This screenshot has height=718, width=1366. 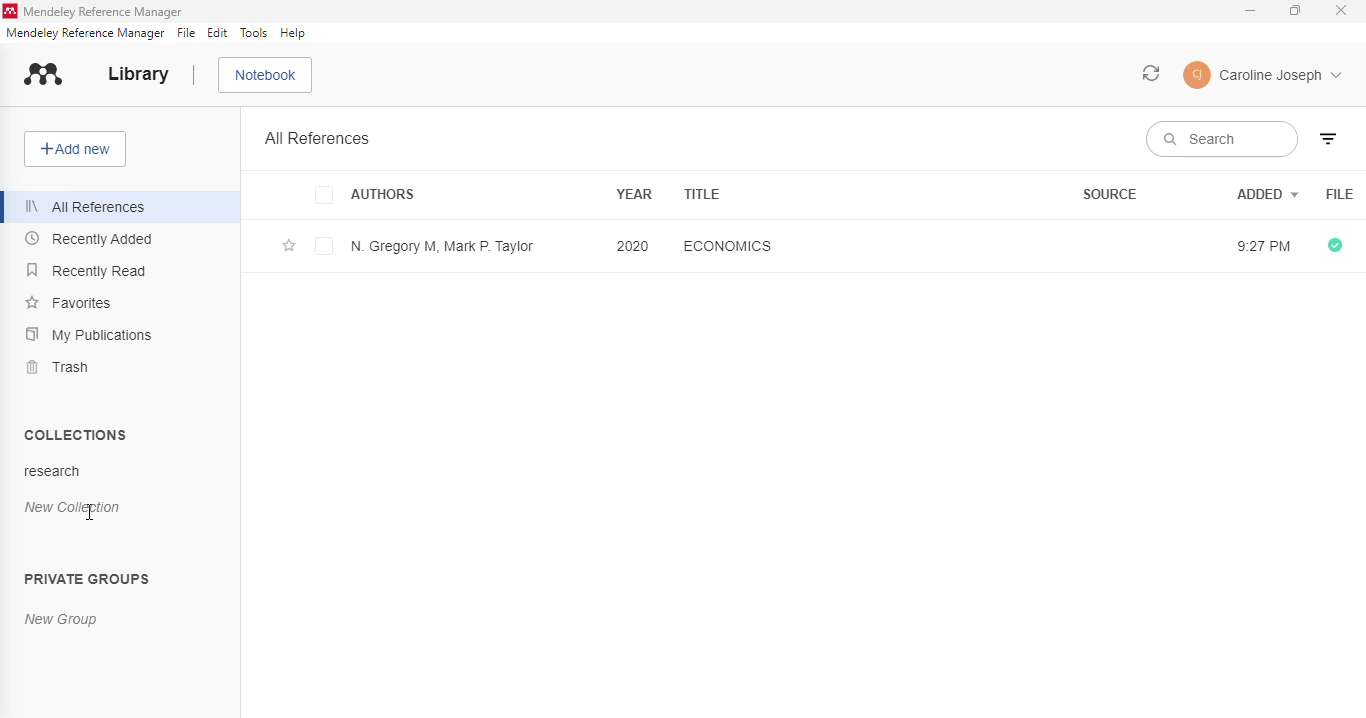 I want to click on help, so click(x=293, y=33).